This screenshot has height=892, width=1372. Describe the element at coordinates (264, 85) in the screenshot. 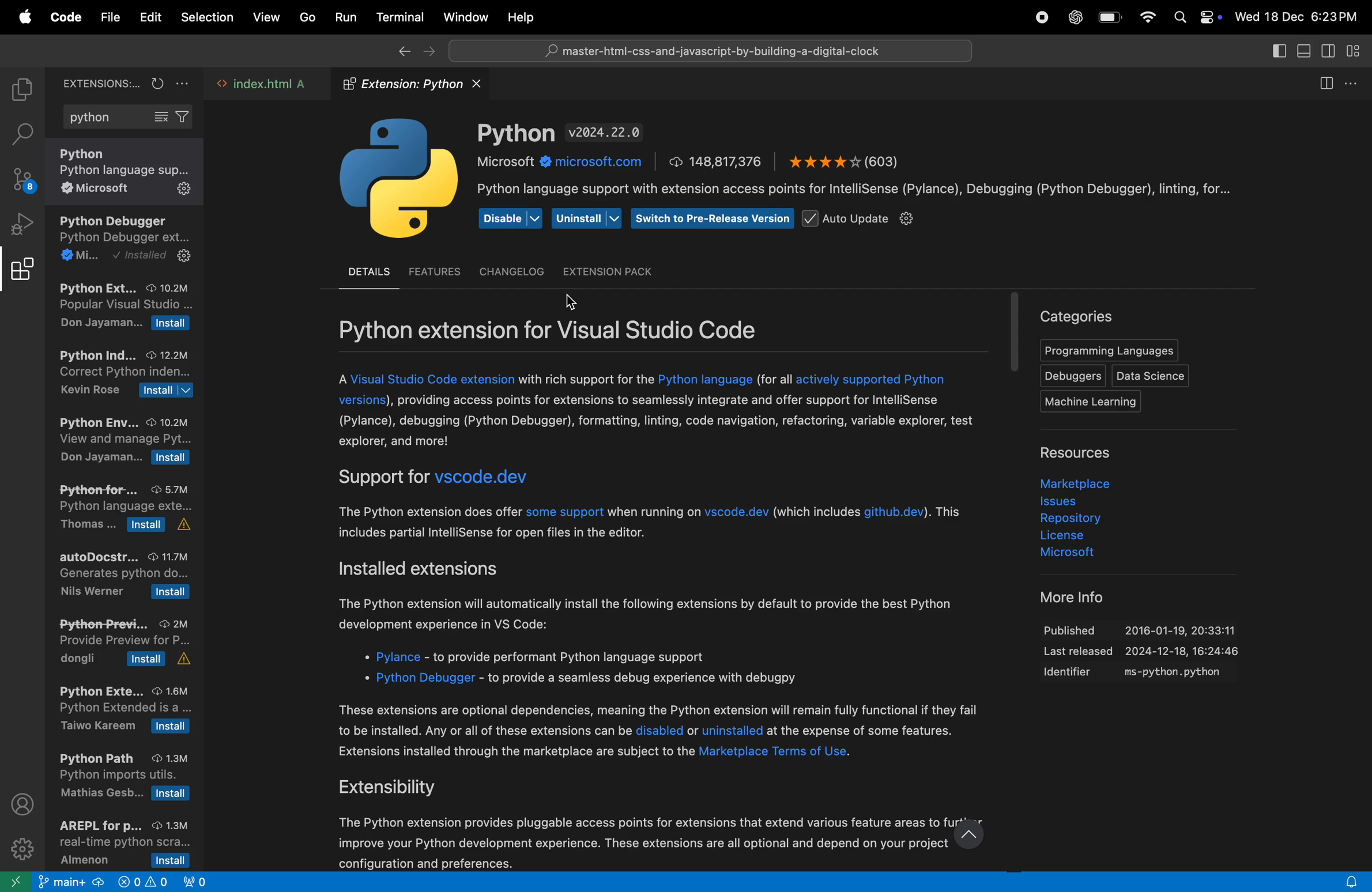

I see `index.hyml` at that location.